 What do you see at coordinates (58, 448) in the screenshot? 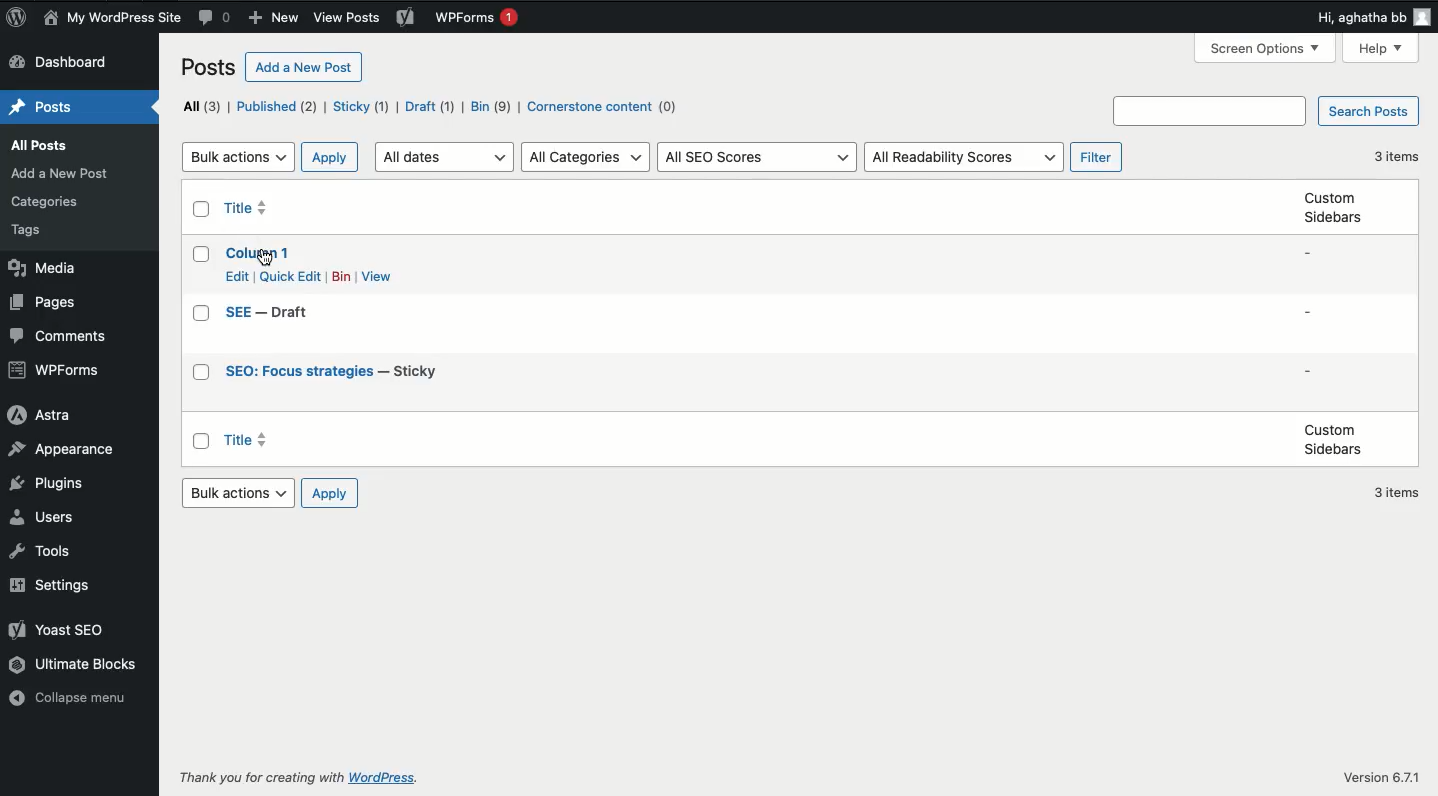
I see `Appearance` at bounding box center [58, 448].